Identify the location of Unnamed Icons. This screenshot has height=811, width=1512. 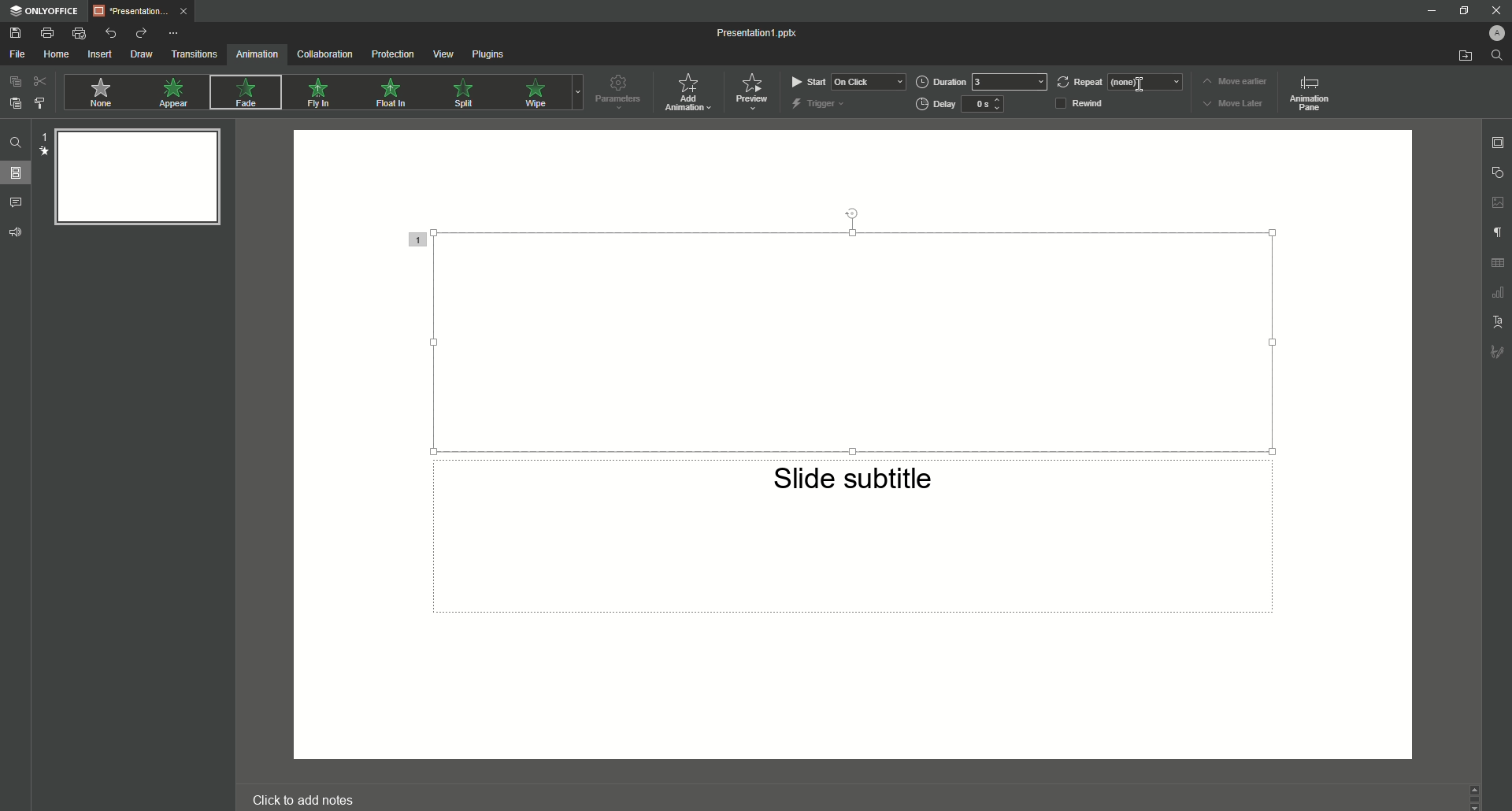
(1498, 263).